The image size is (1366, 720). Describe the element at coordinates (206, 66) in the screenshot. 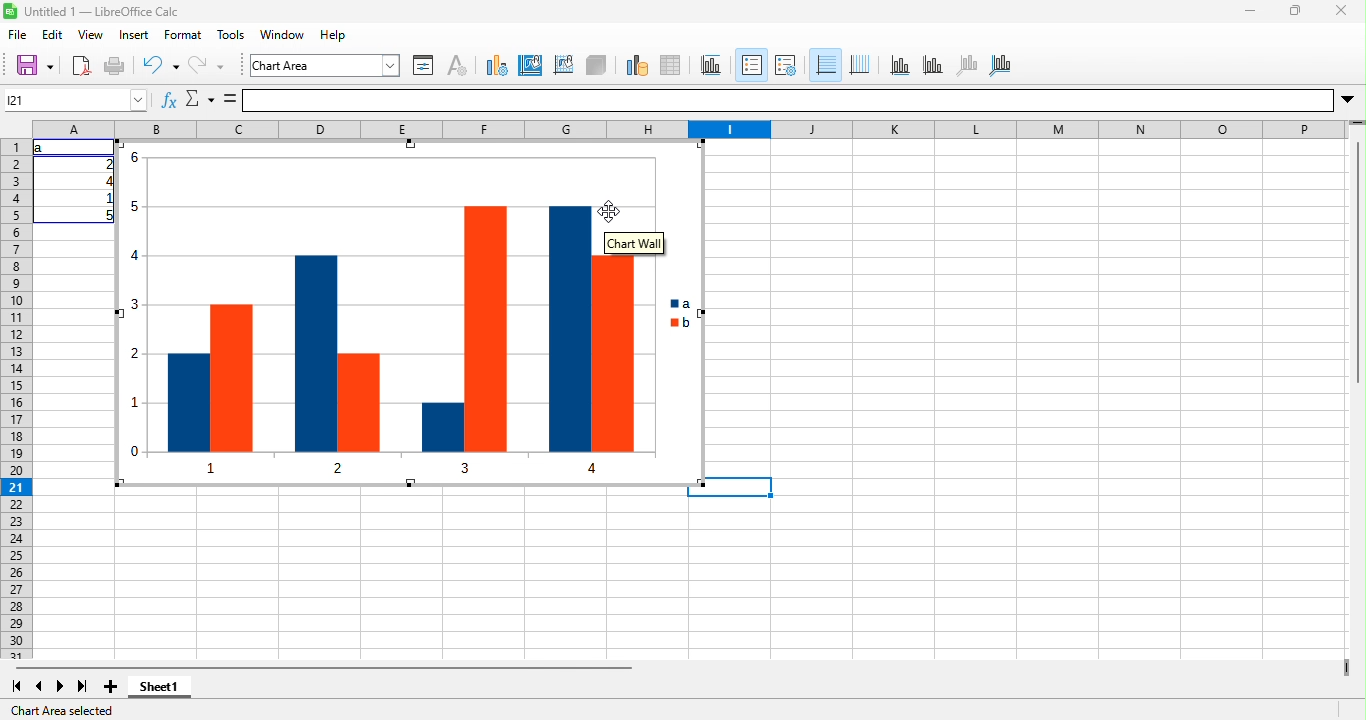

I see `redo` at that location.